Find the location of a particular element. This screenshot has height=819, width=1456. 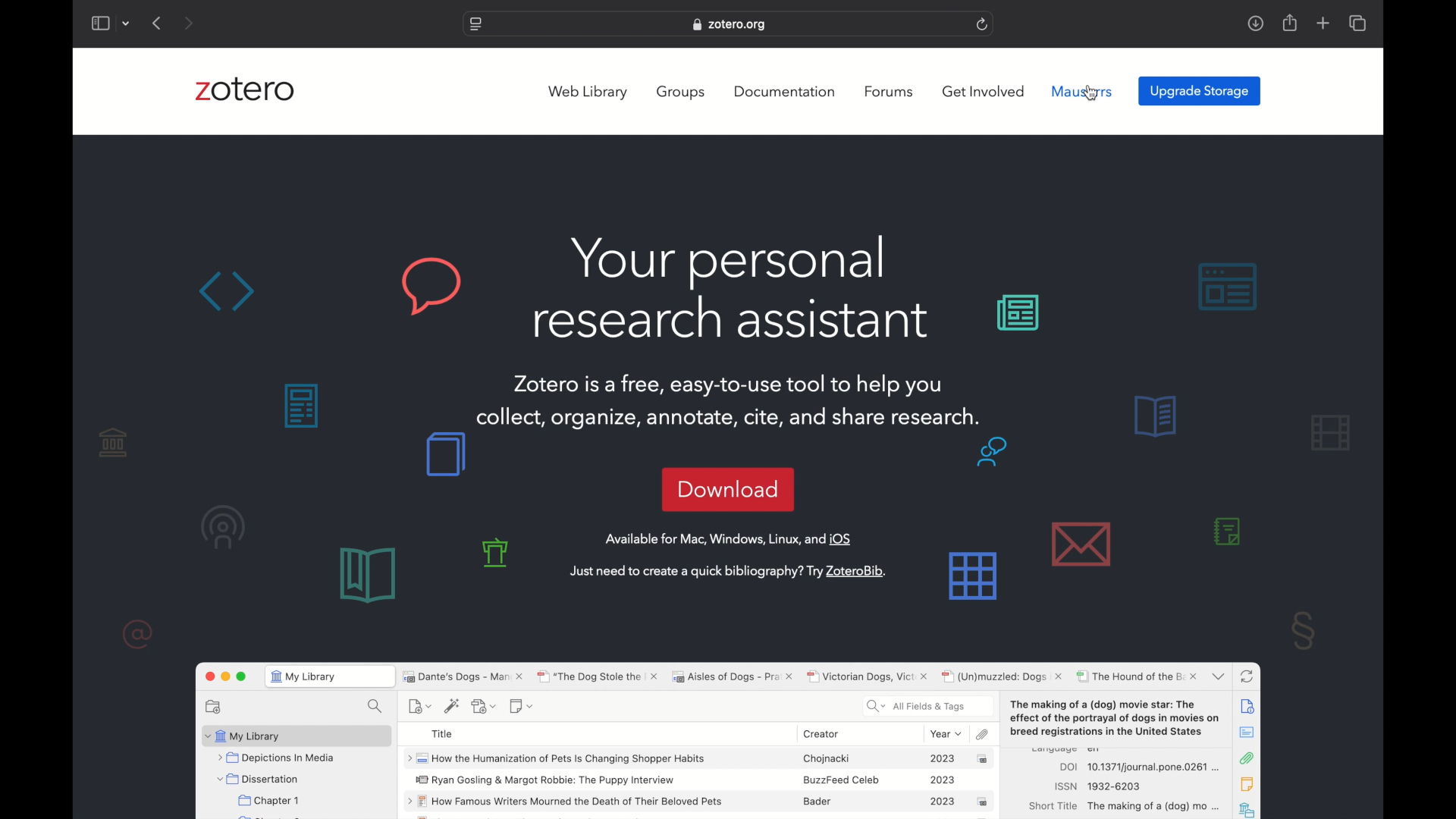

cursor is located at coordinates (1090, 93).